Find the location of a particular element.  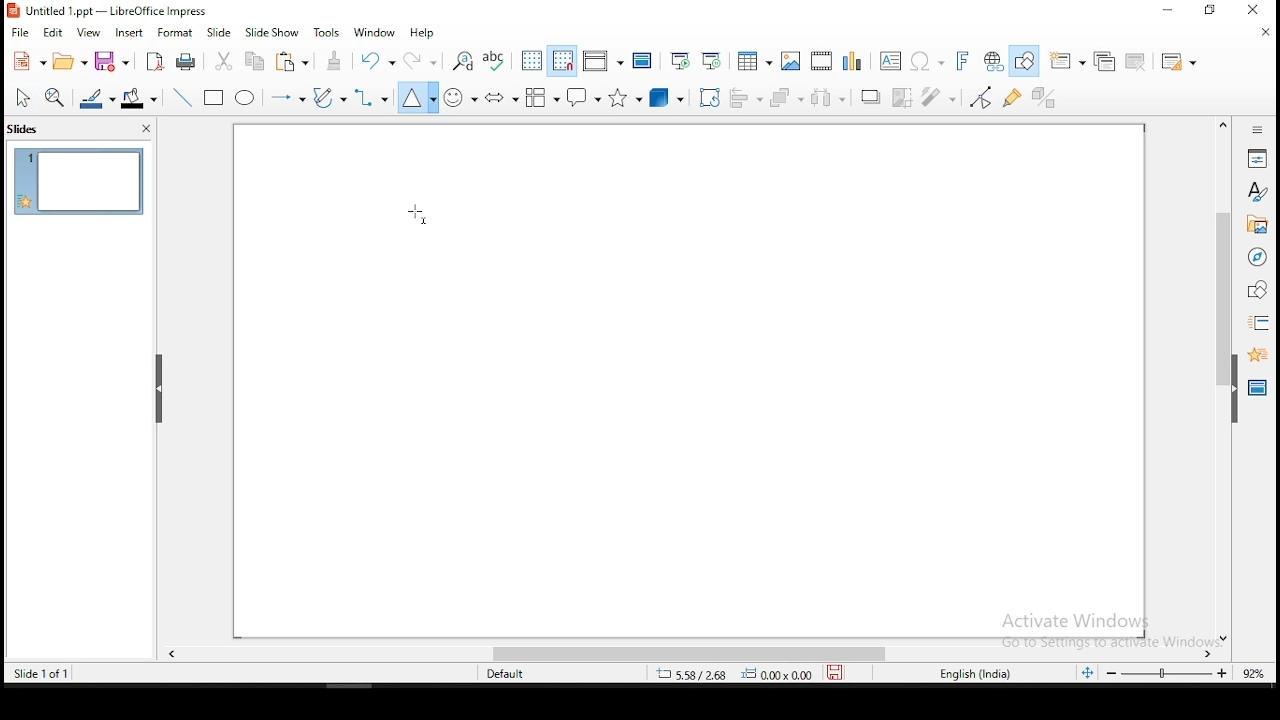

slide show is located at coordinates (272, 32).